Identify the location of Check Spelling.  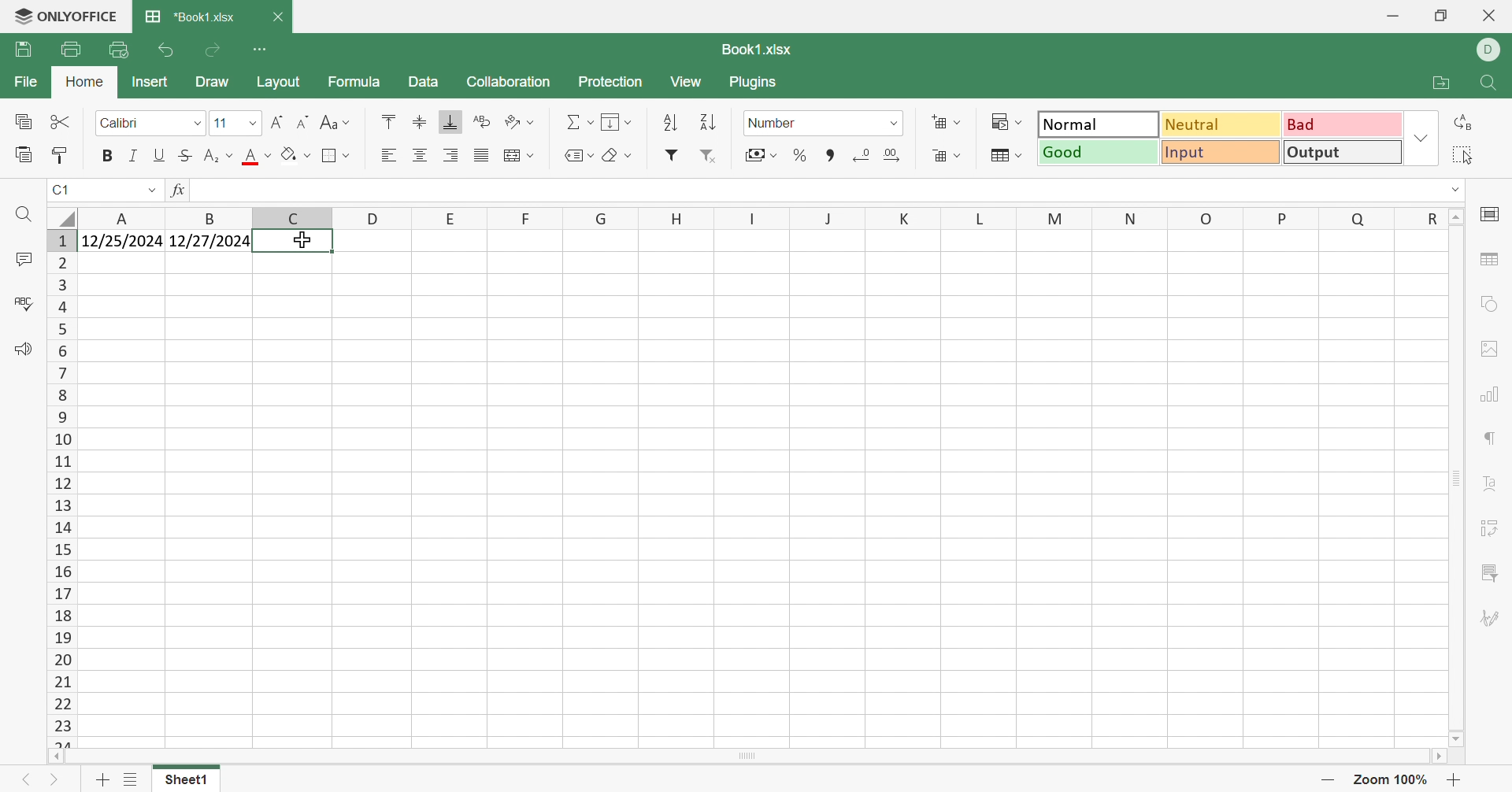
(23, 305).